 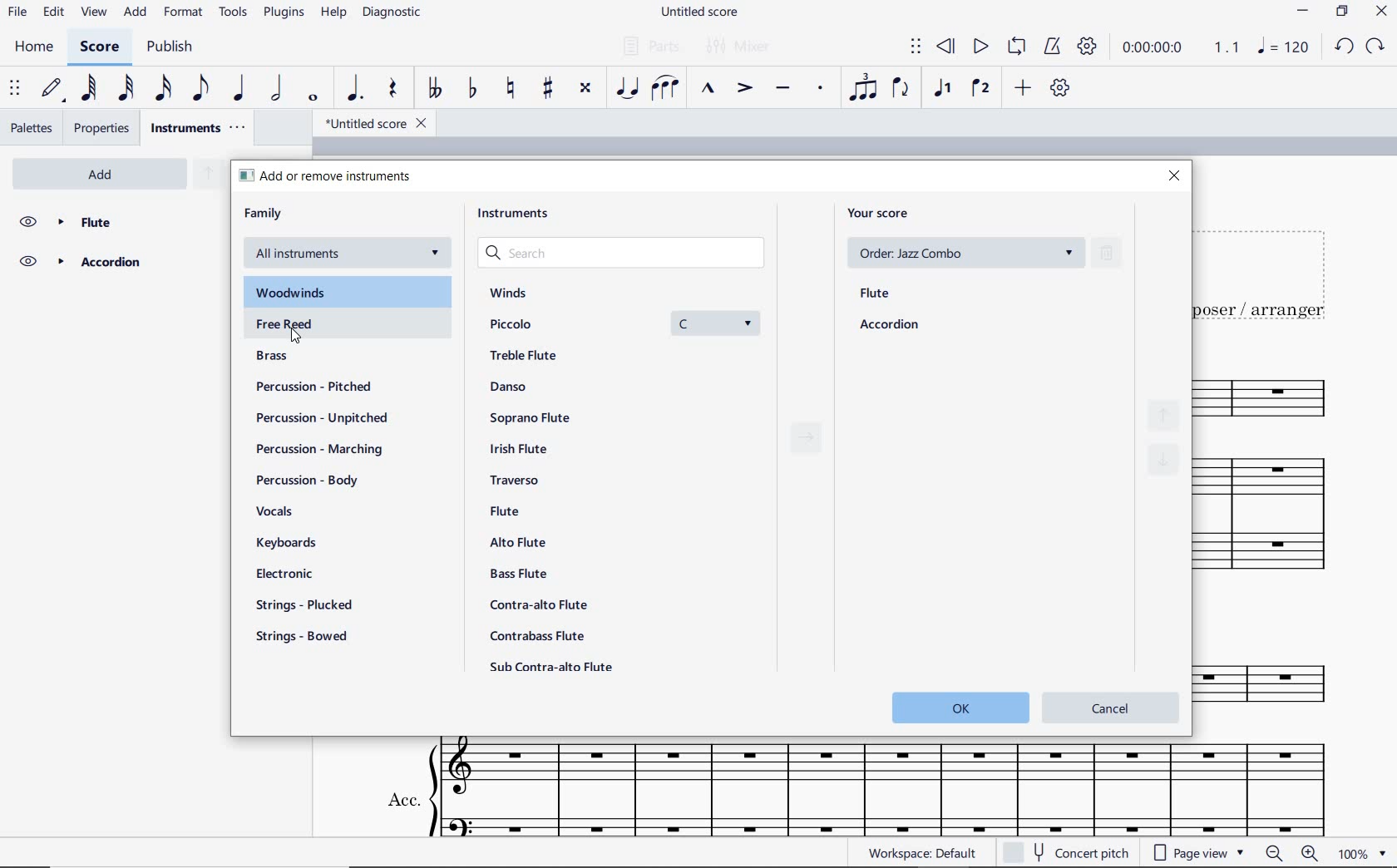 I want to click on Alto flute, so click(x=517, y=544).